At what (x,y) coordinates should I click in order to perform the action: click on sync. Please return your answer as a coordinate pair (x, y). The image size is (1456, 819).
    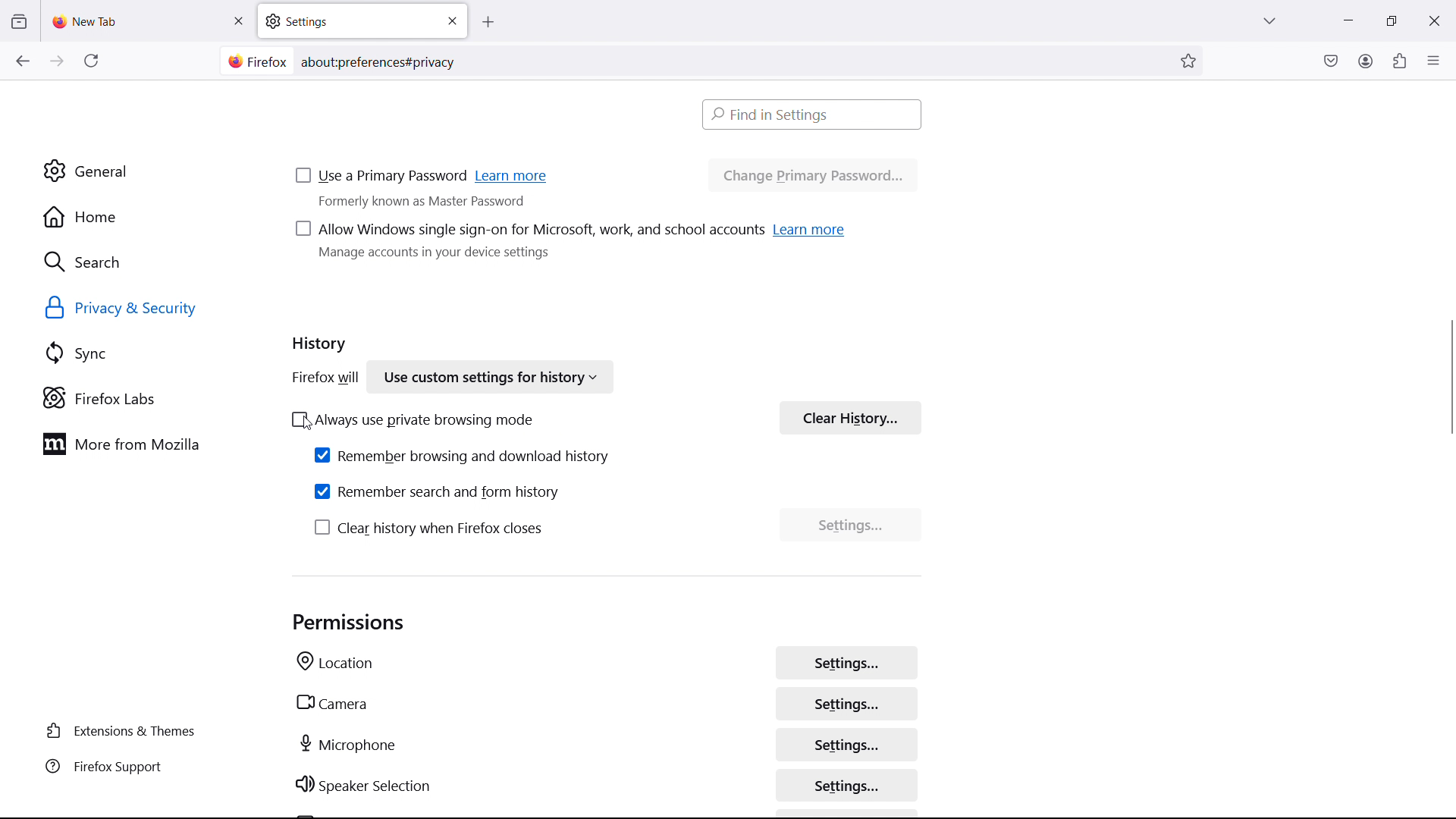
    Looking at the image, I should click on (149, 353).